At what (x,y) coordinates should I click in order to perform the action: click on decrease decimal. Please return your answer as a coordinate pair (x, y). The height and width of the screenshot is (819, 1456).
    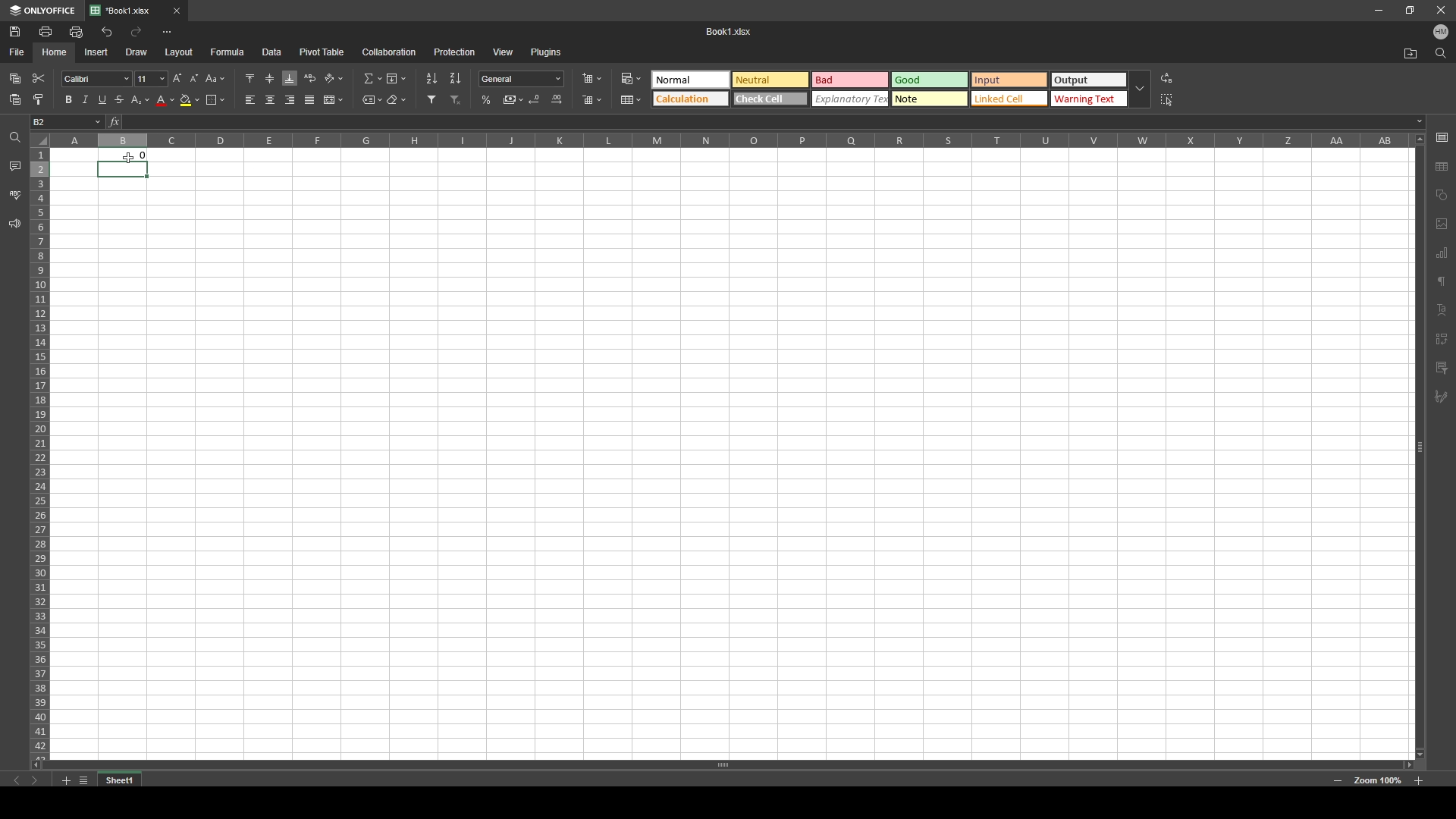
    Looking at the image, I should click on (536, 99).